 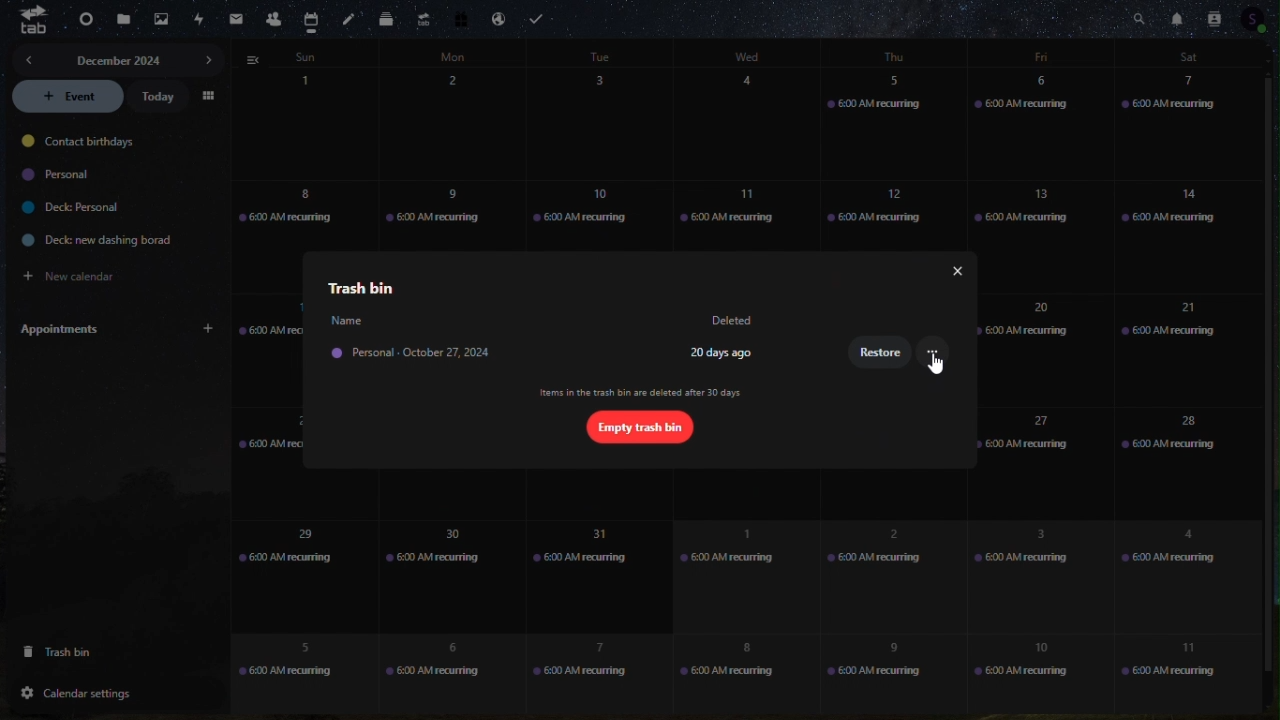 I want to click on Task, so click(x=541, y=16).